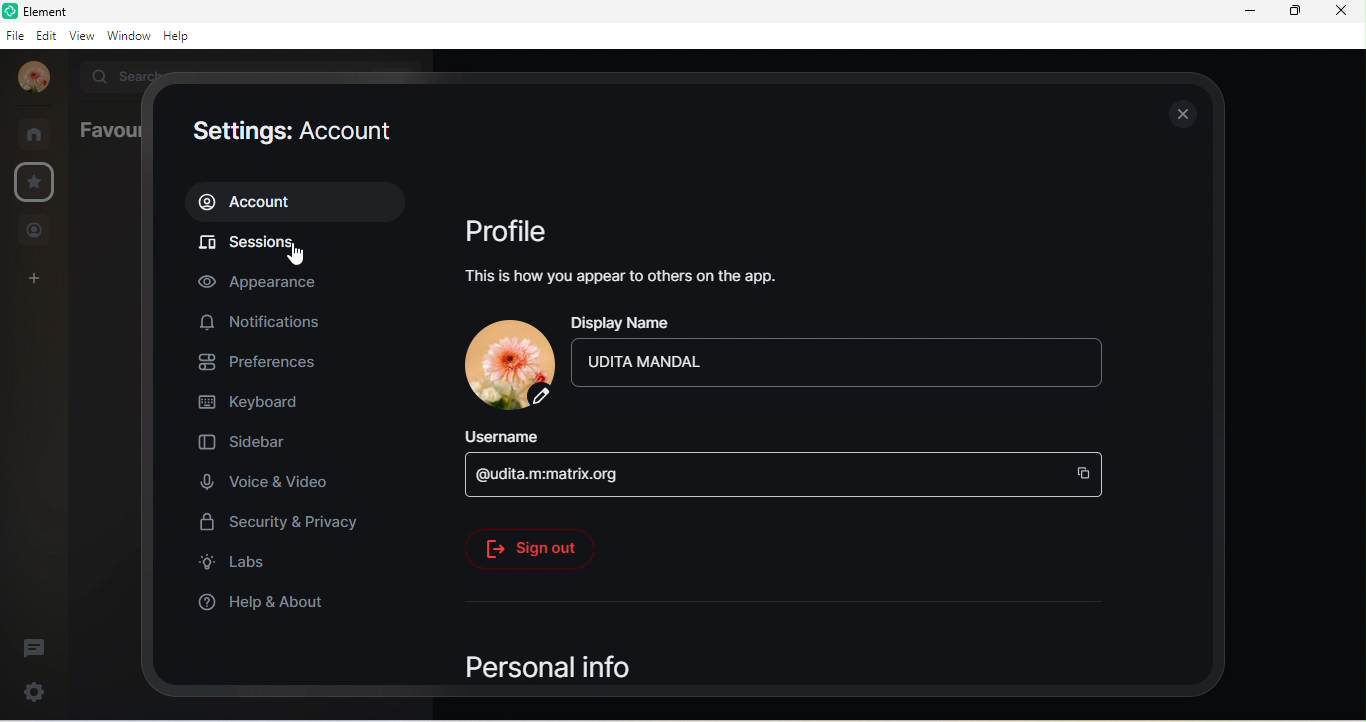 The width and height of the screenshot is (1366, 722). Describe the element at coordinates (248, 445) in the screenshot. I see `sidebar` at that location.